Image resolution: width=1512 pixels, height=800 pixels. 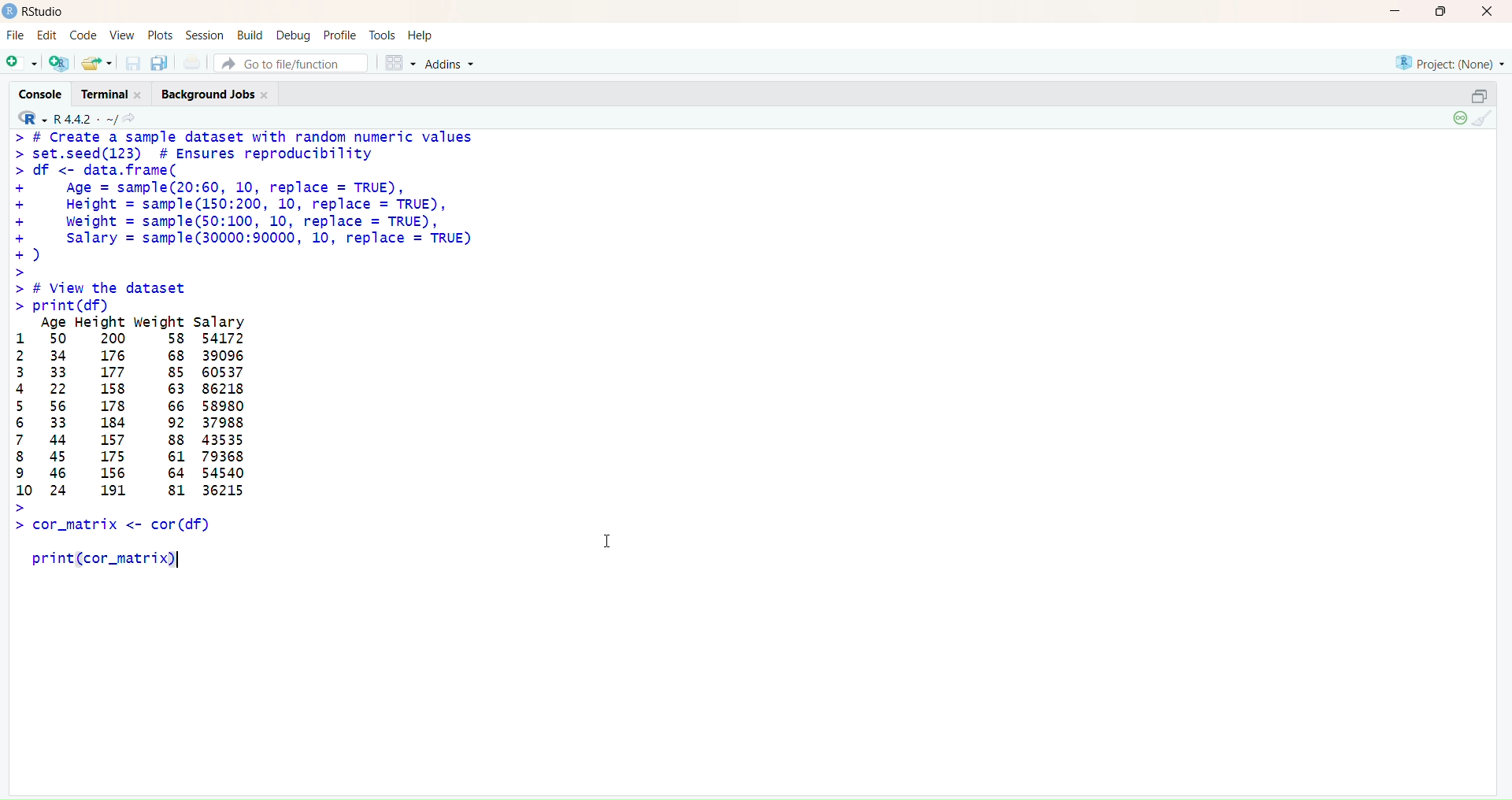 I want to click on Background jobs, so click(x=217, y=95).